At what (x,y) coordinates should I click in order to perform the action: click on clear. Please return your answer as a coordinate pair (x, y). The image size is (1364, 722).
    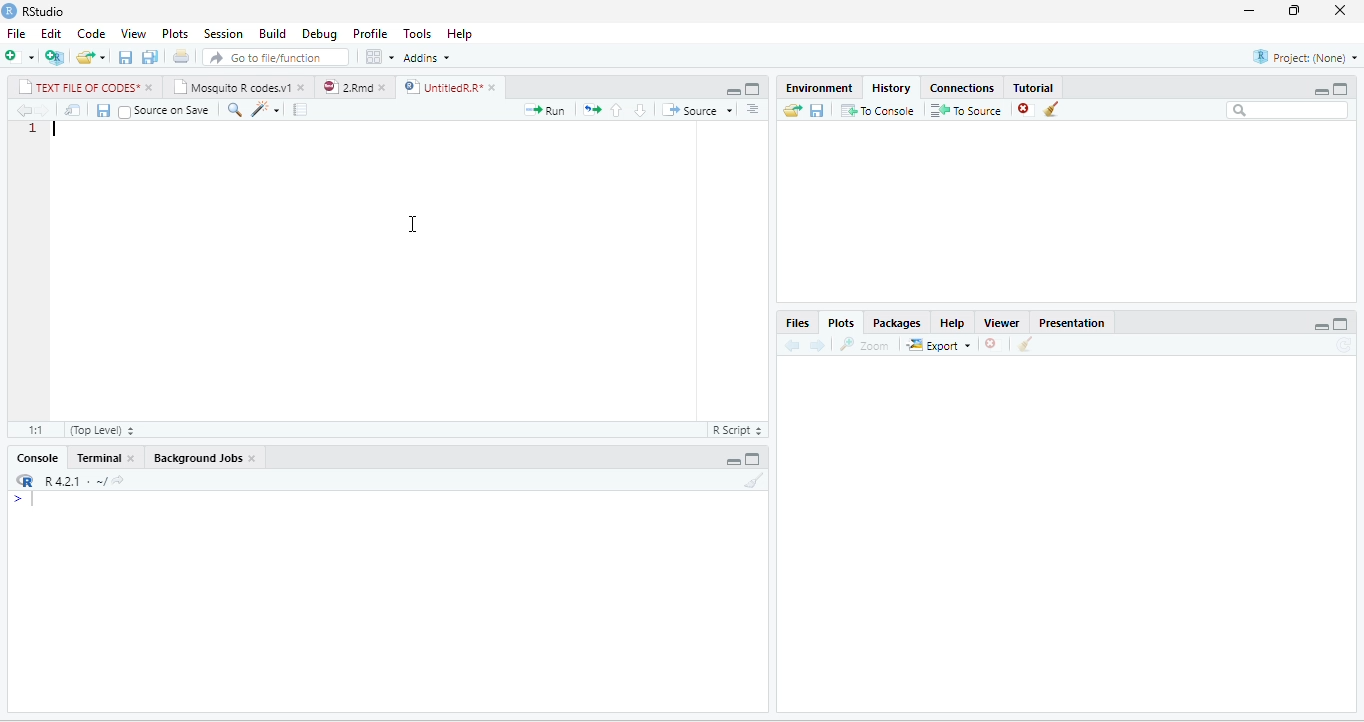
    Looking at the image, I should click on (1052, 109).